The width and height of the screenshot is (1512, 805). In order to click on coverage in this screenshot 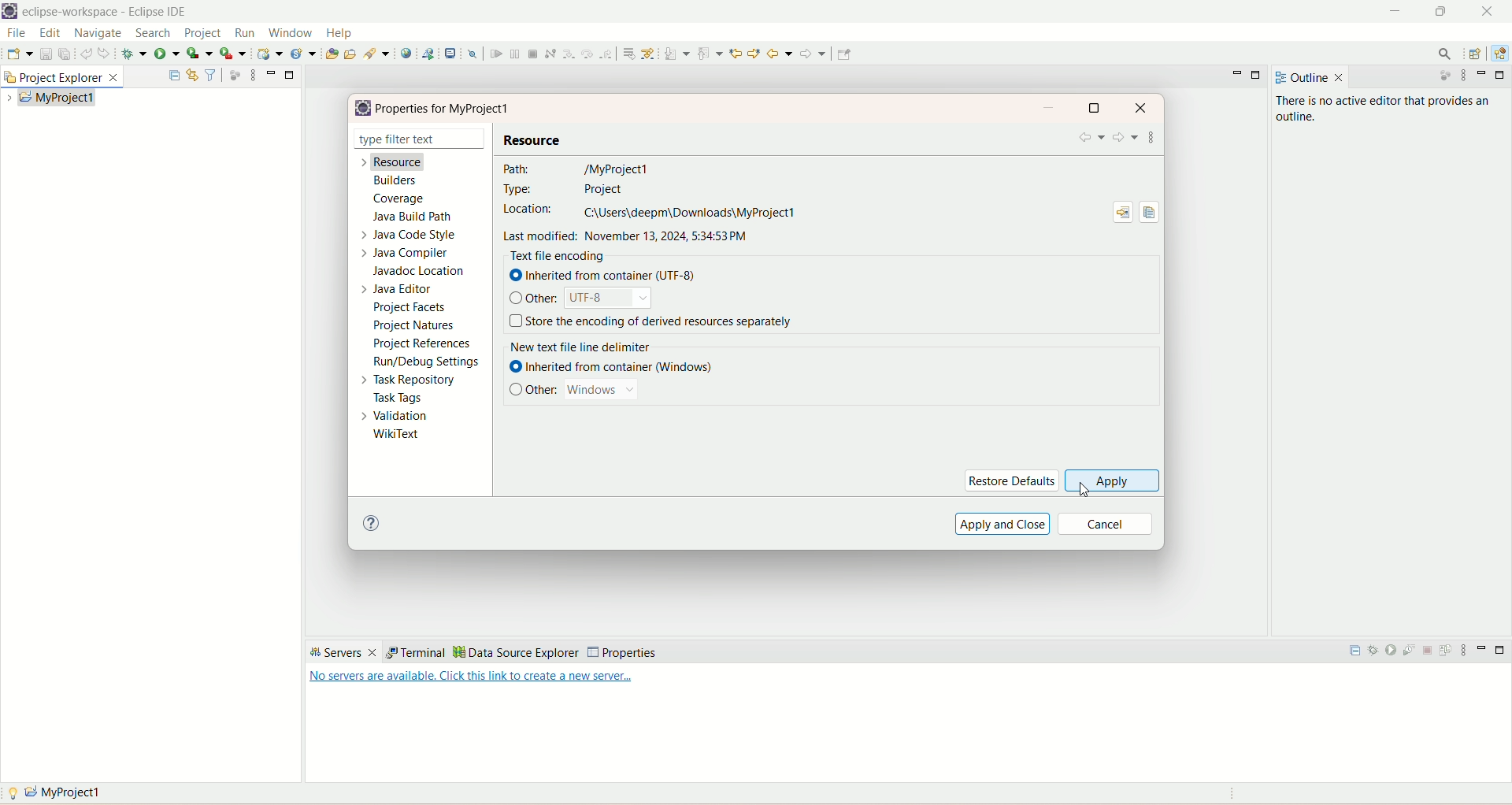, I will do `click(199, 54)`.